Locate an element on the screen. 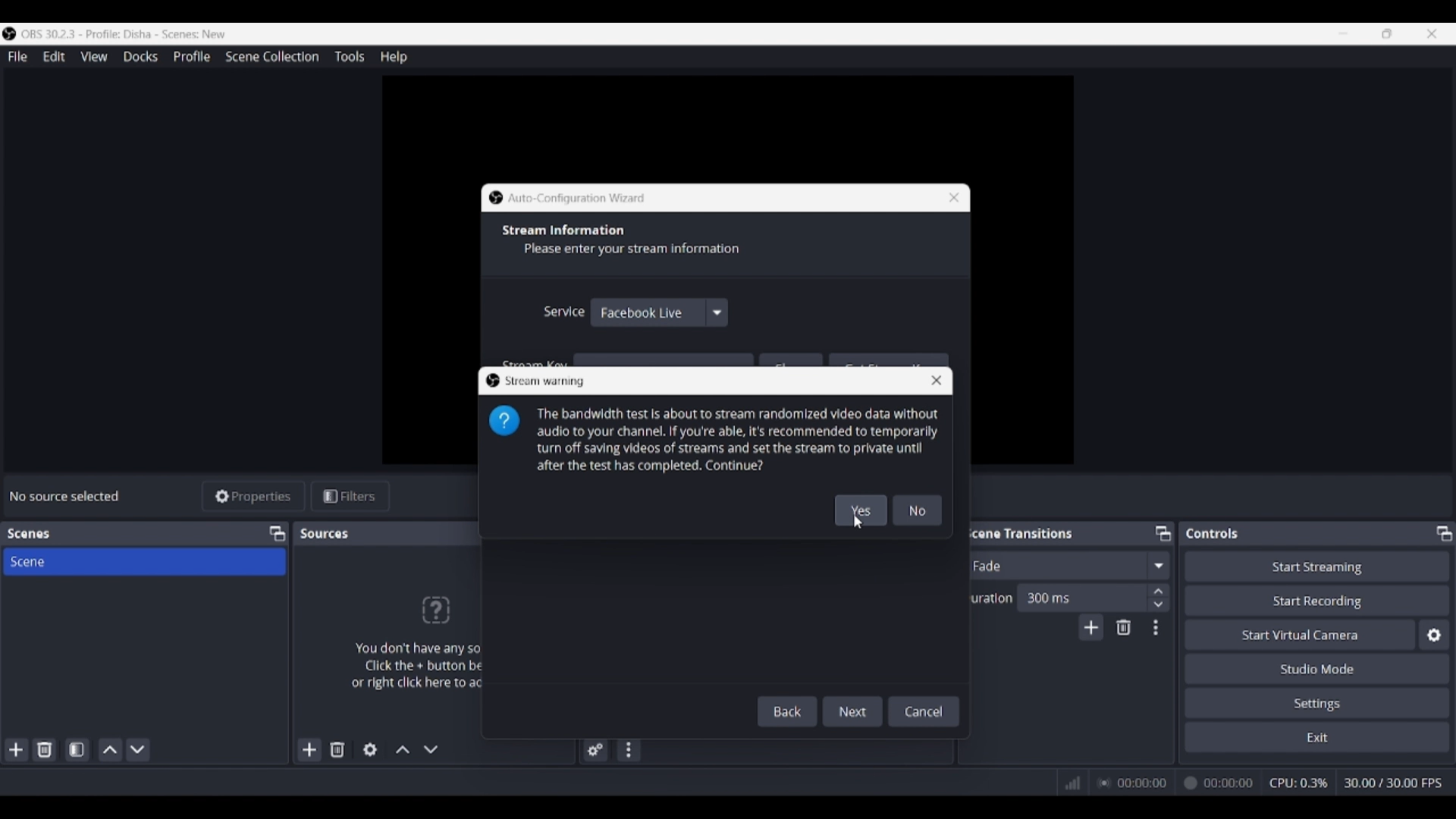 This screenshot has height=819, width=1456. Next is located at coordinates (854, 708).